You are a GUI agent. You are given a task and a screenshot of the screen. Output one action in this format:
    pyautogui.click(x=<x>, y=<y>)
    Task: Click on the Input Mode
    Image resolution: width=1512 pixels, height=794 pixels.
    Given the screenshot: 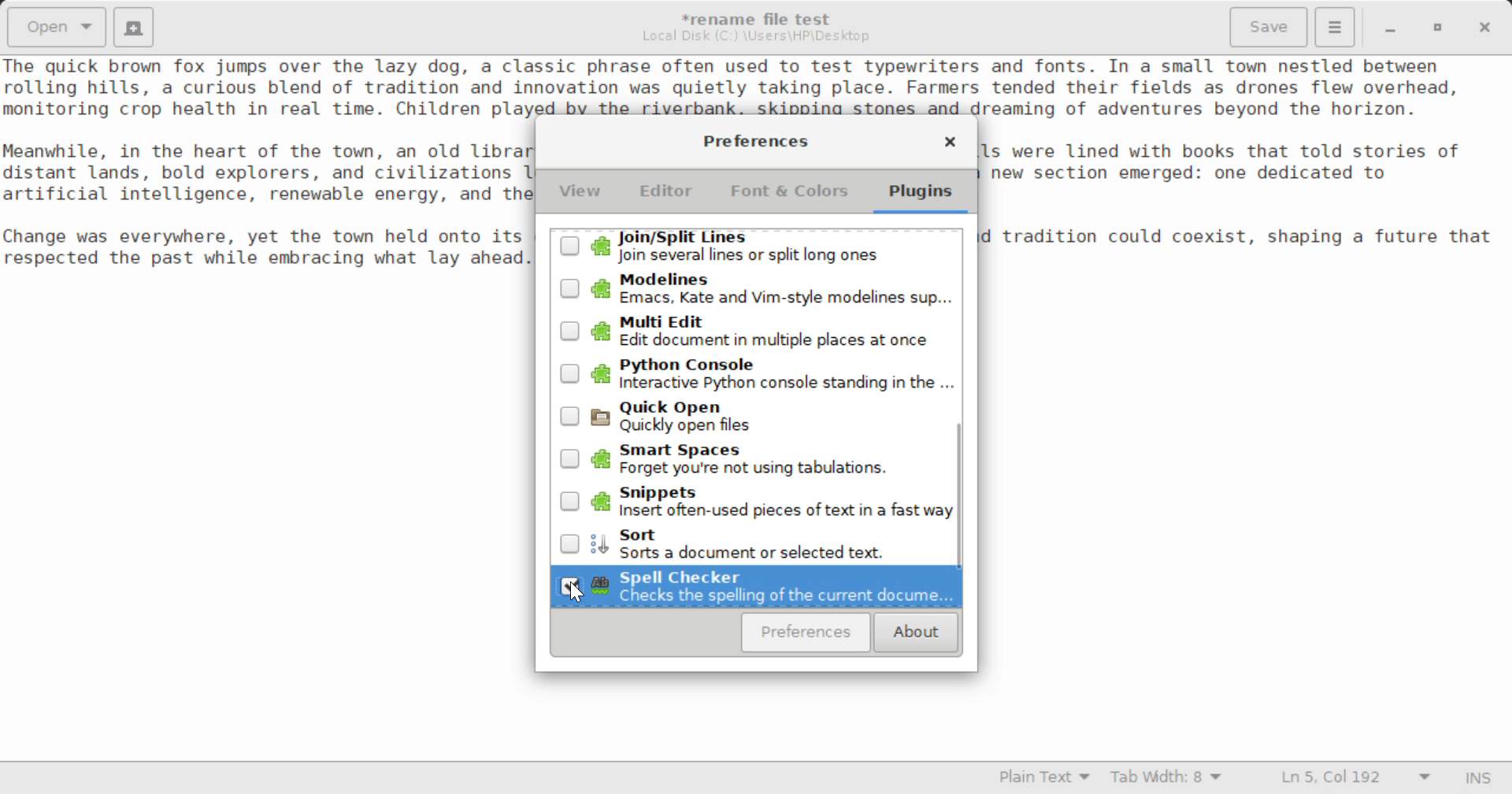 What is the action you would take?
    pyautogui.click(x=1478, y=780)
    